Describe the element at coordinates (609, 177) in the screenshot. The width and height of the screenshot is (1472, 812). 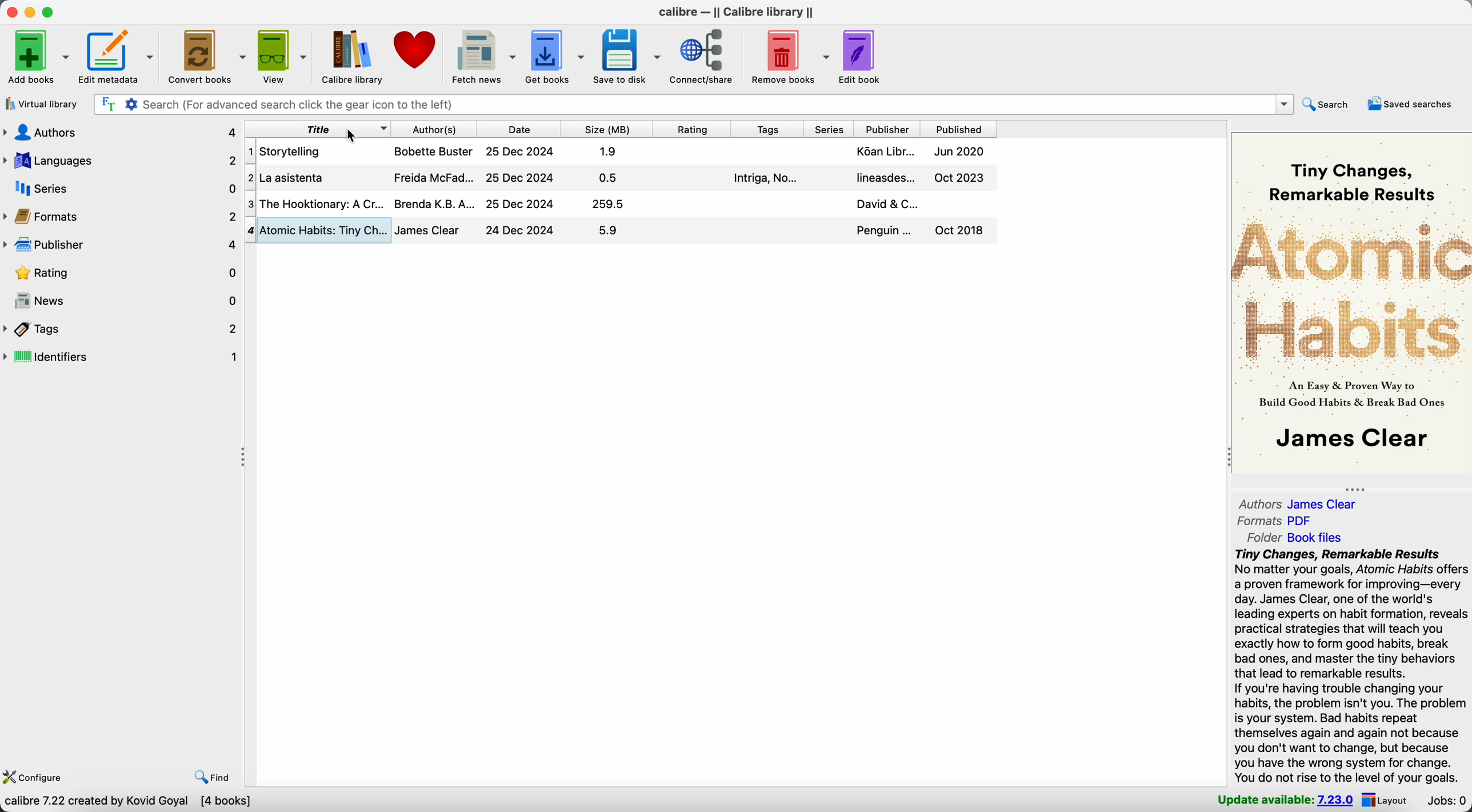
I see `0.5` at that location.